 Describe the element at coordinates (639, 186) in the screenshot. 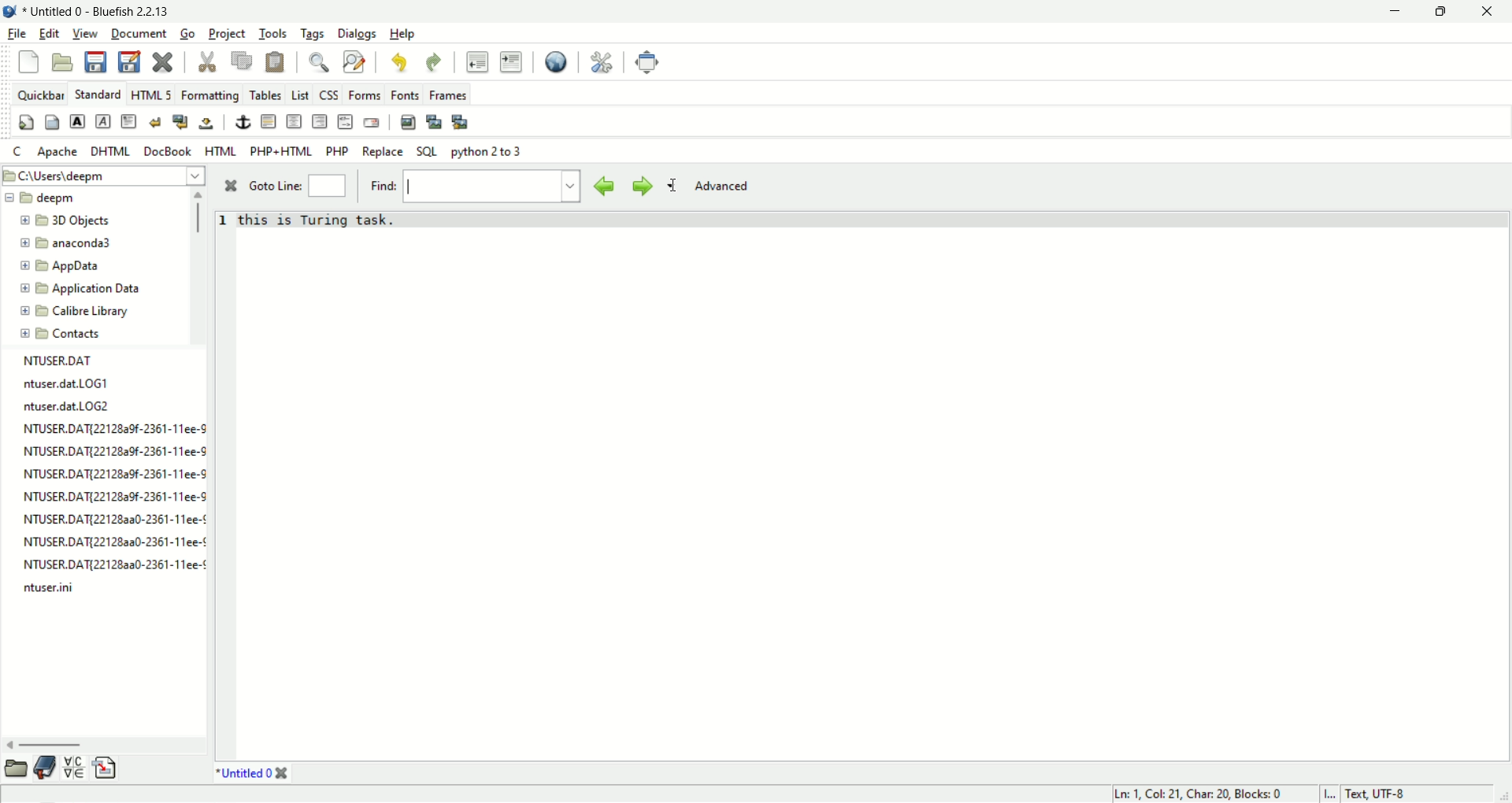

I see `find next` at that location.